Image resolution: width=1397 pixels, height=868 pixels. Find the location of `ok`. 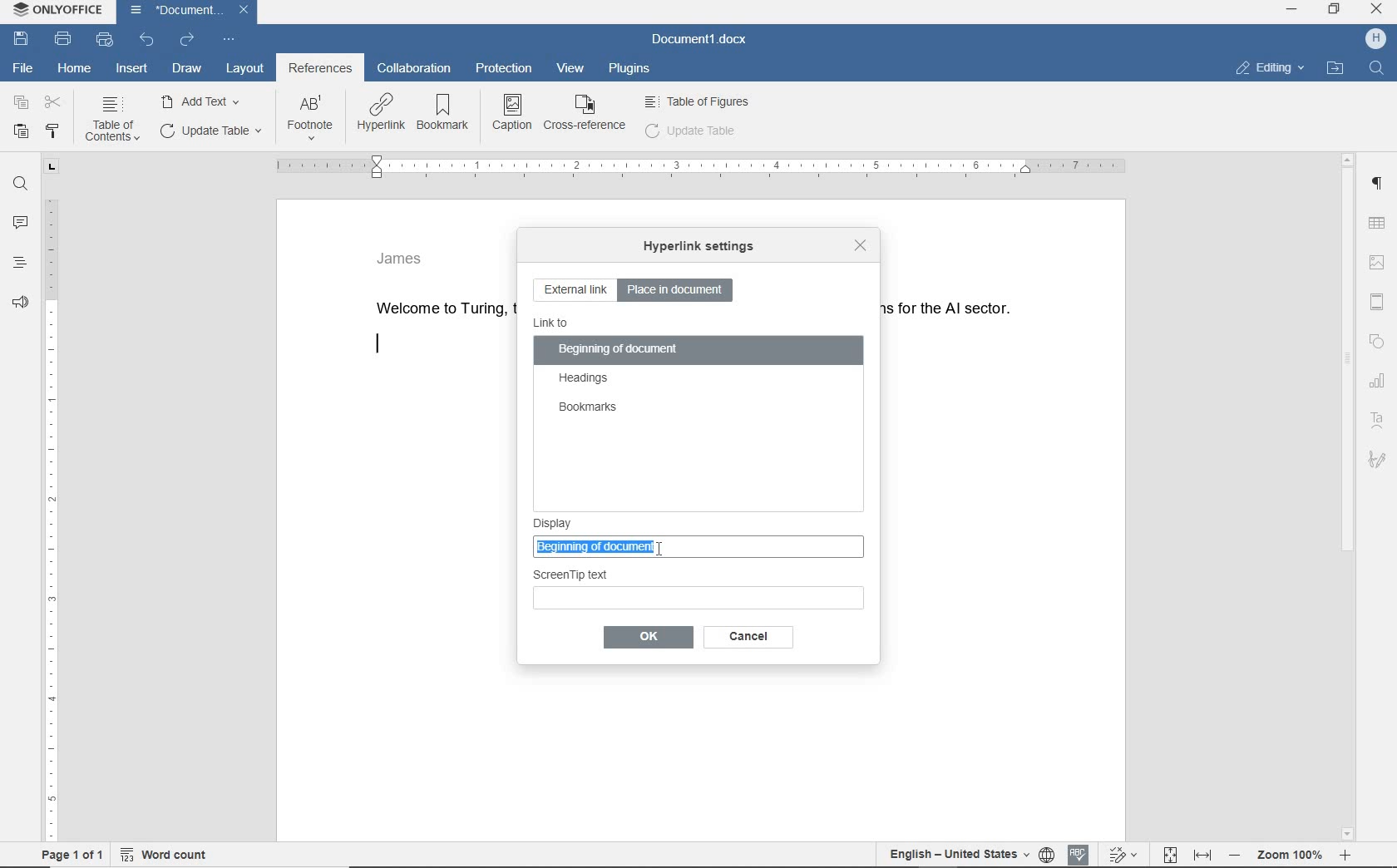

ok is located at coordinates (744, 637).